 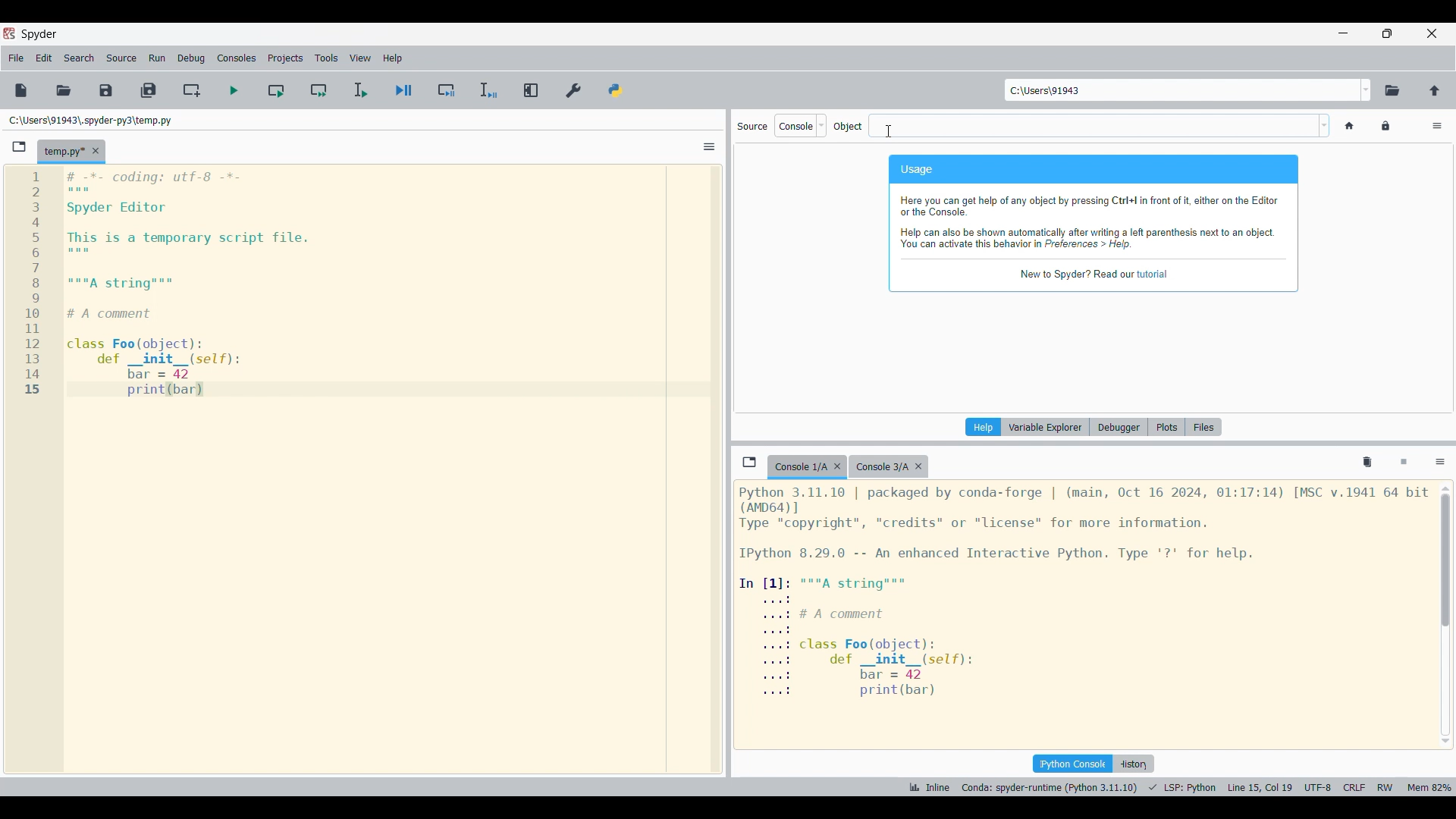 I want to click on line numbers, so click(x=33, y=283).